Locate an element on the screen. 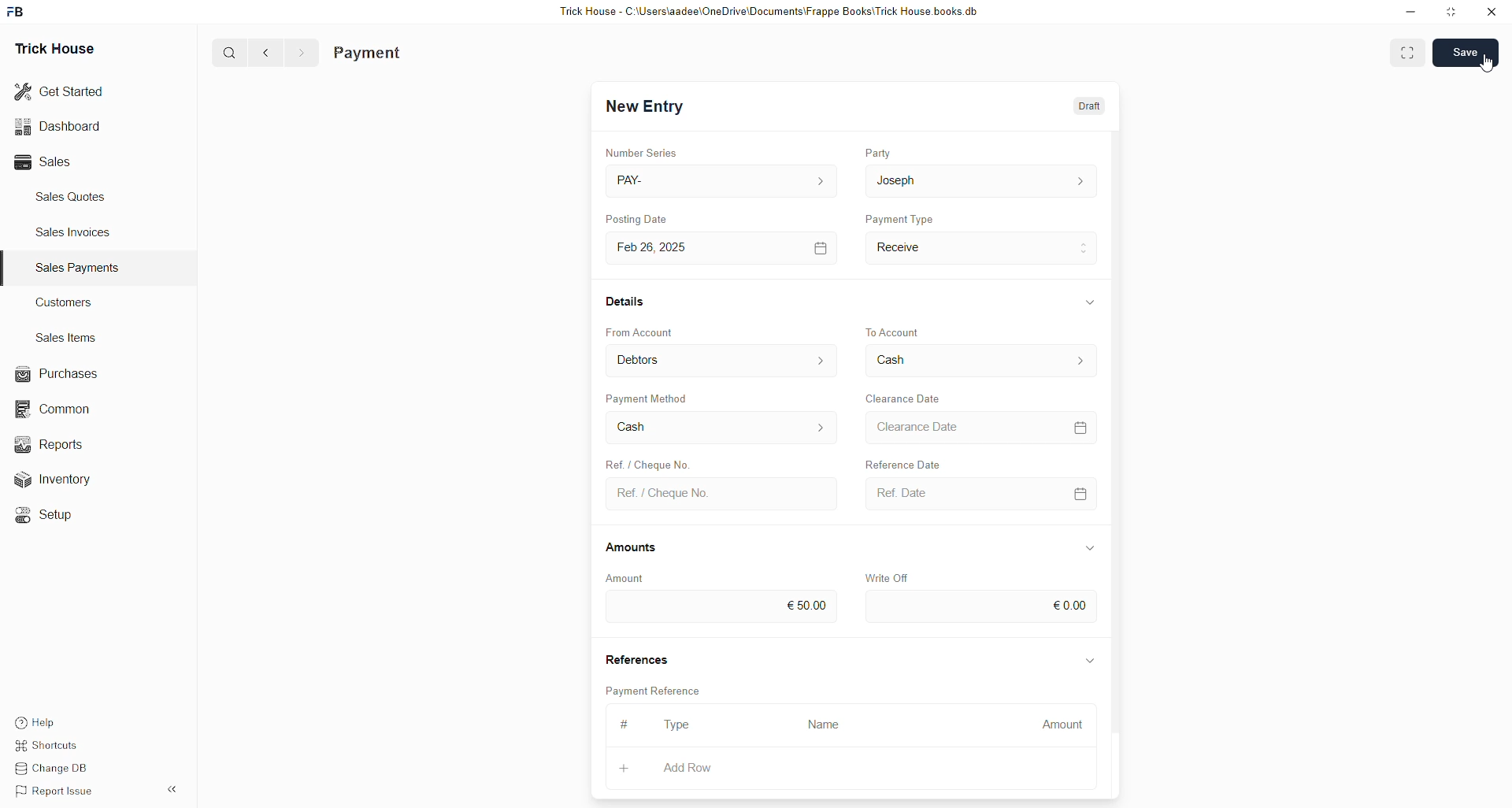  Sales Payments is located at coordinates (80, 268).